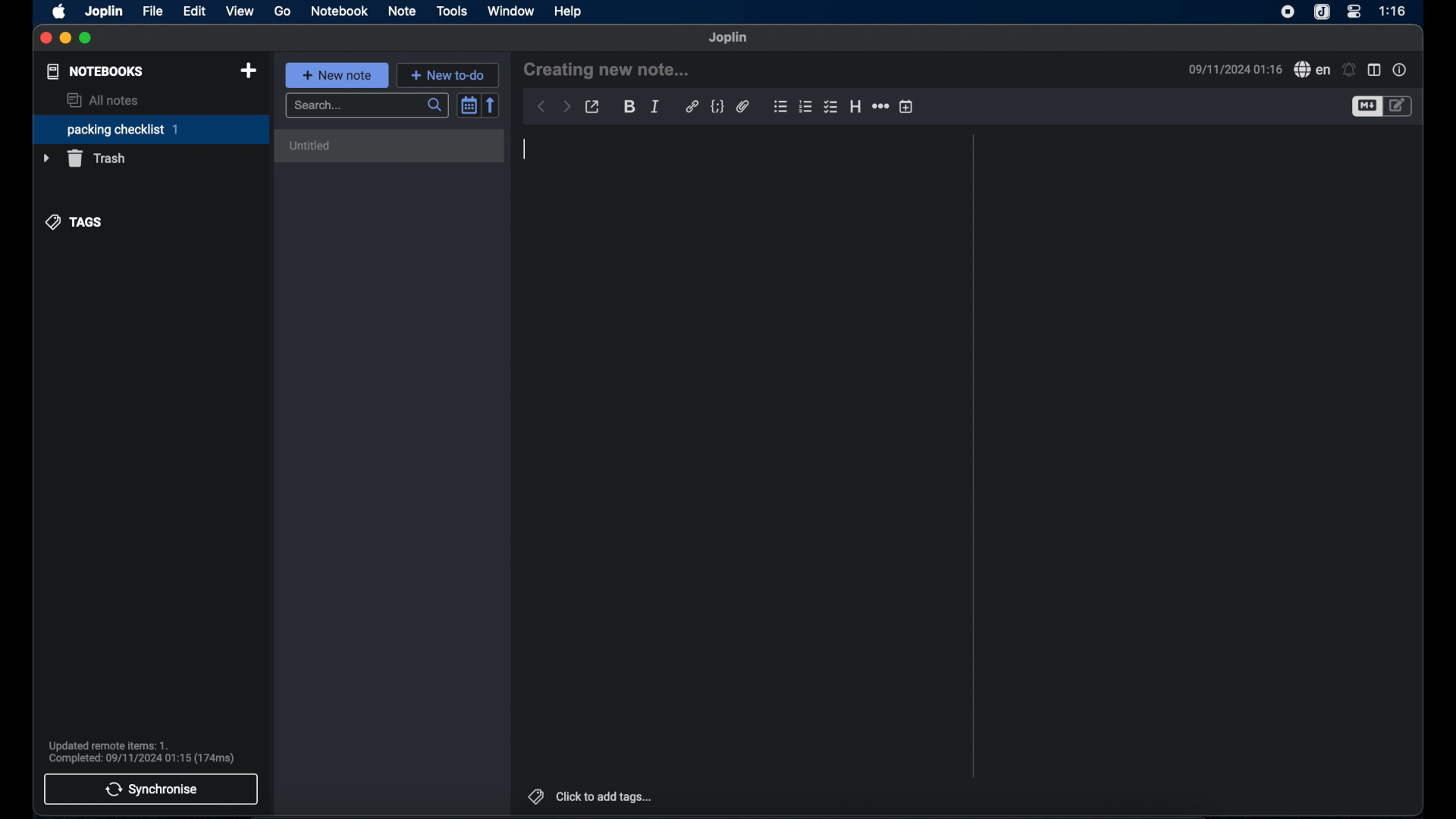 The width and height of the screenshot is (1456, 819). I want to click on click to add tags, so click(591, 795).